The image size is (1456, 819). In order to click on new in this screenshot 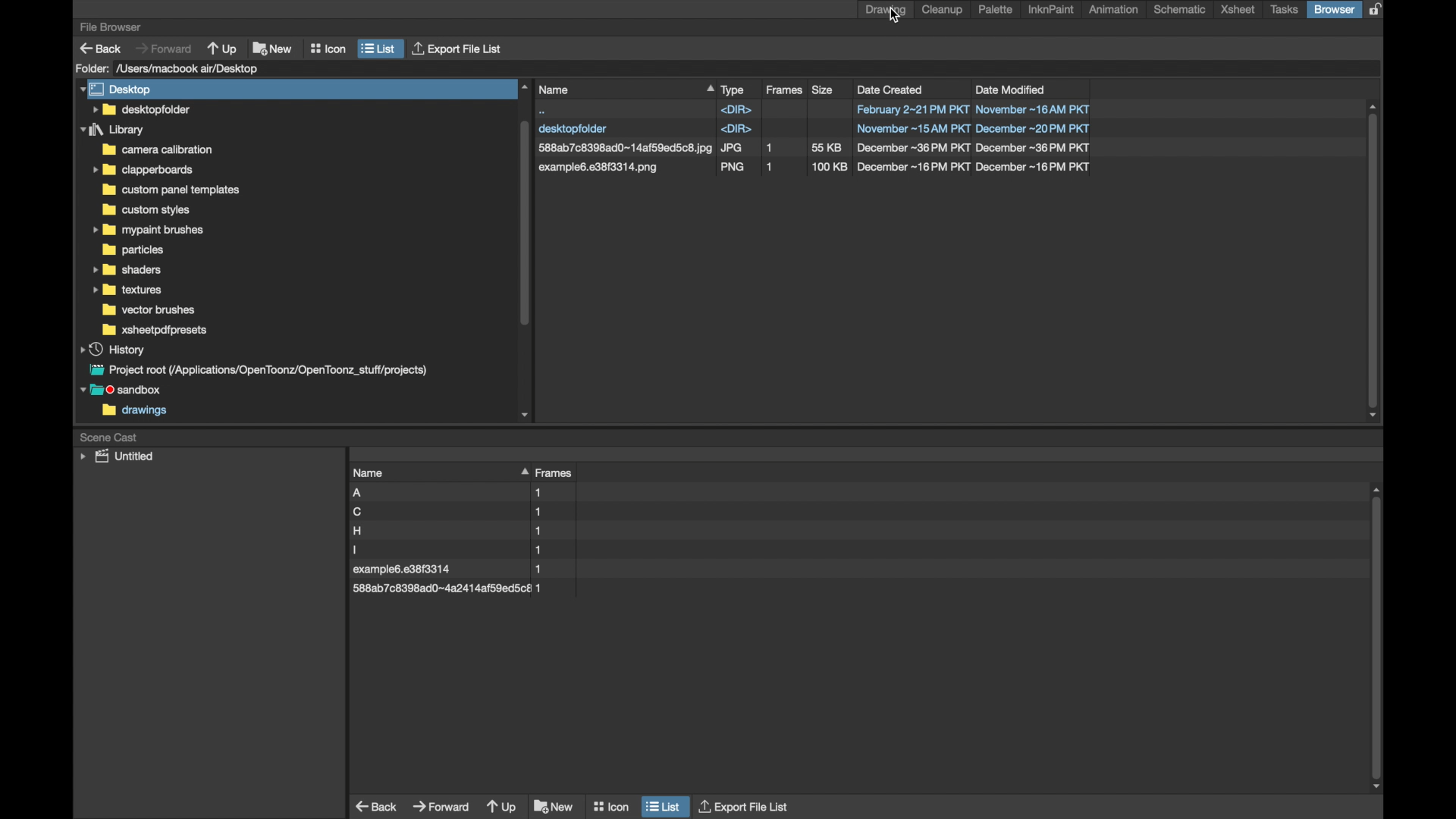, I will do `click(272, 47)`.